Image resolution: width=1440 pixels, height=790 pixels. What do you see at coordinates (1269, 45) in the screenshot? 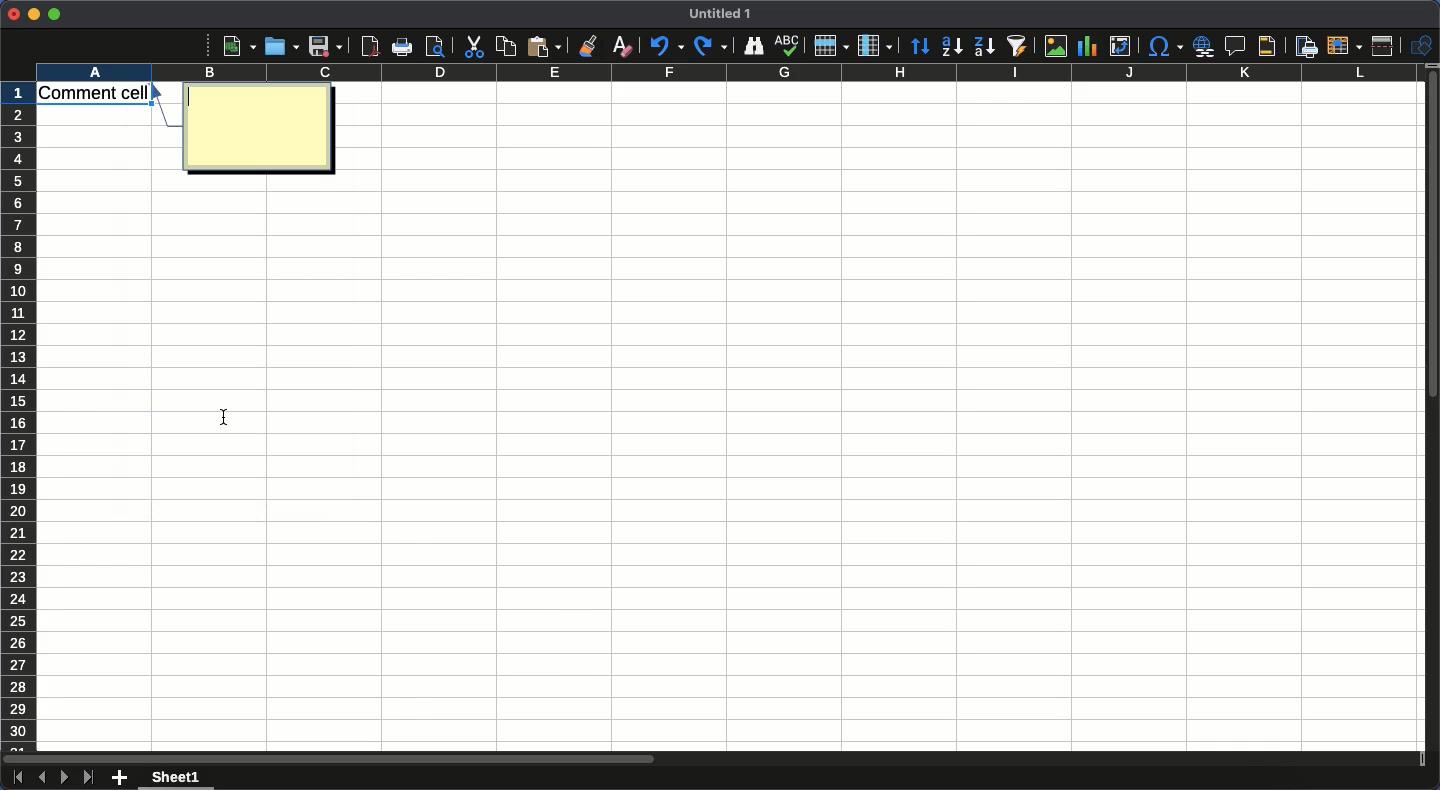
I see `Headers and footers` at bounding box center [1269, 45].